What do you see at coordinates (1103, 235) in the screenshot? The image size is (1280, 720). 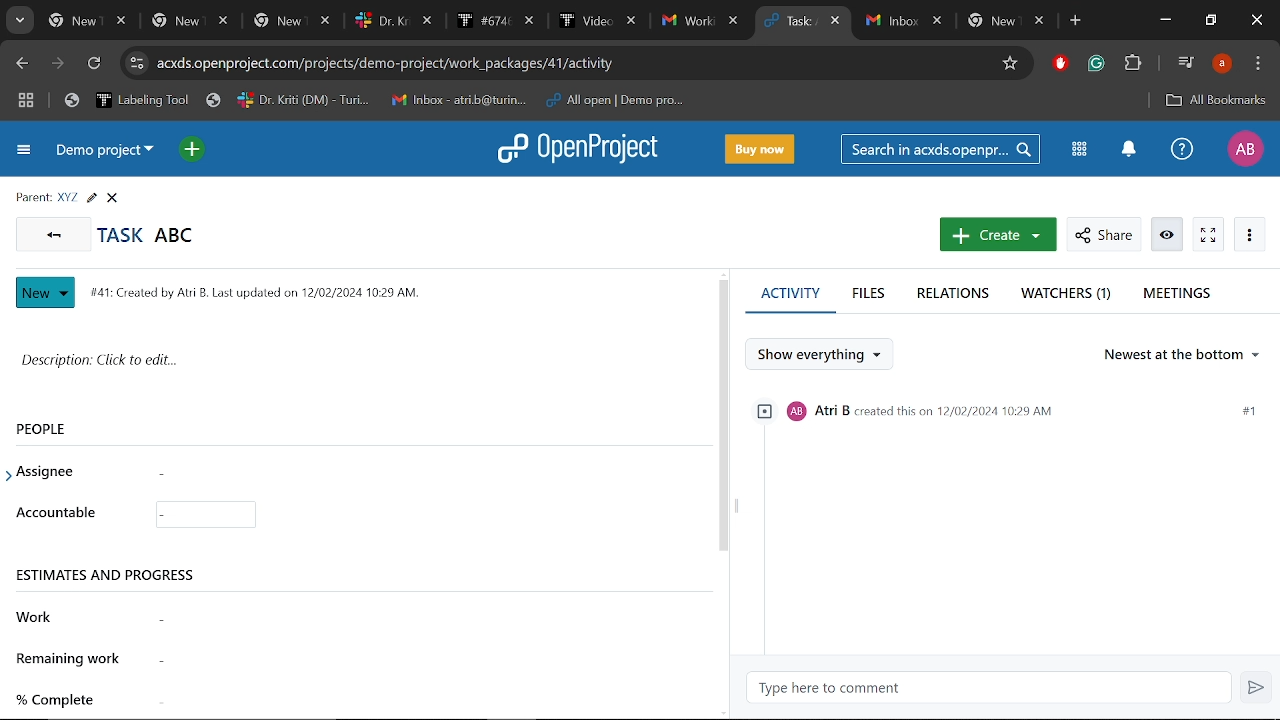 I see `Share` at bounding box center [1103, 235].